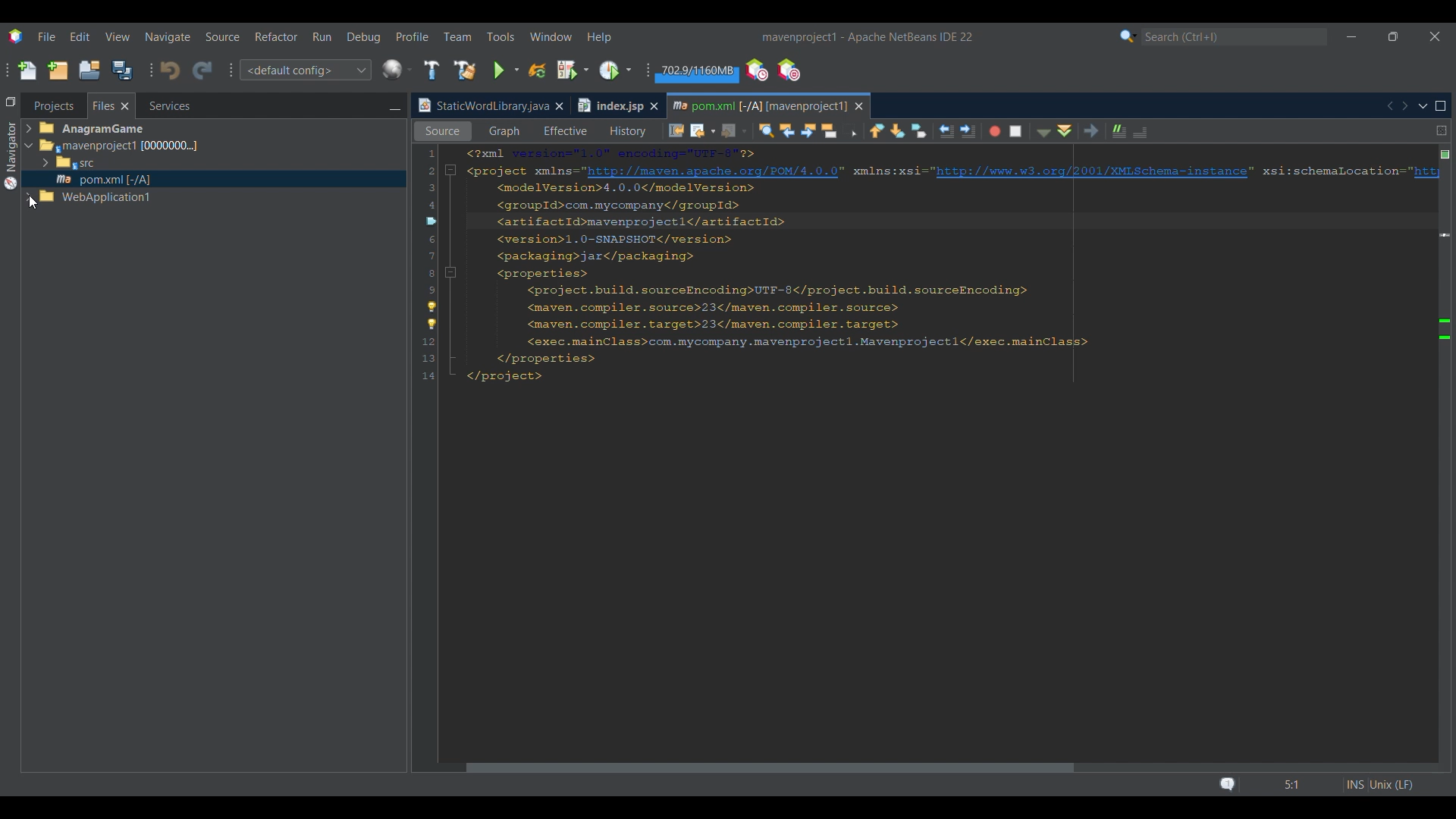 Image resolution: width=1456 pixels, height=819 pixels. I want to click on Other tab, so click(617, 105).